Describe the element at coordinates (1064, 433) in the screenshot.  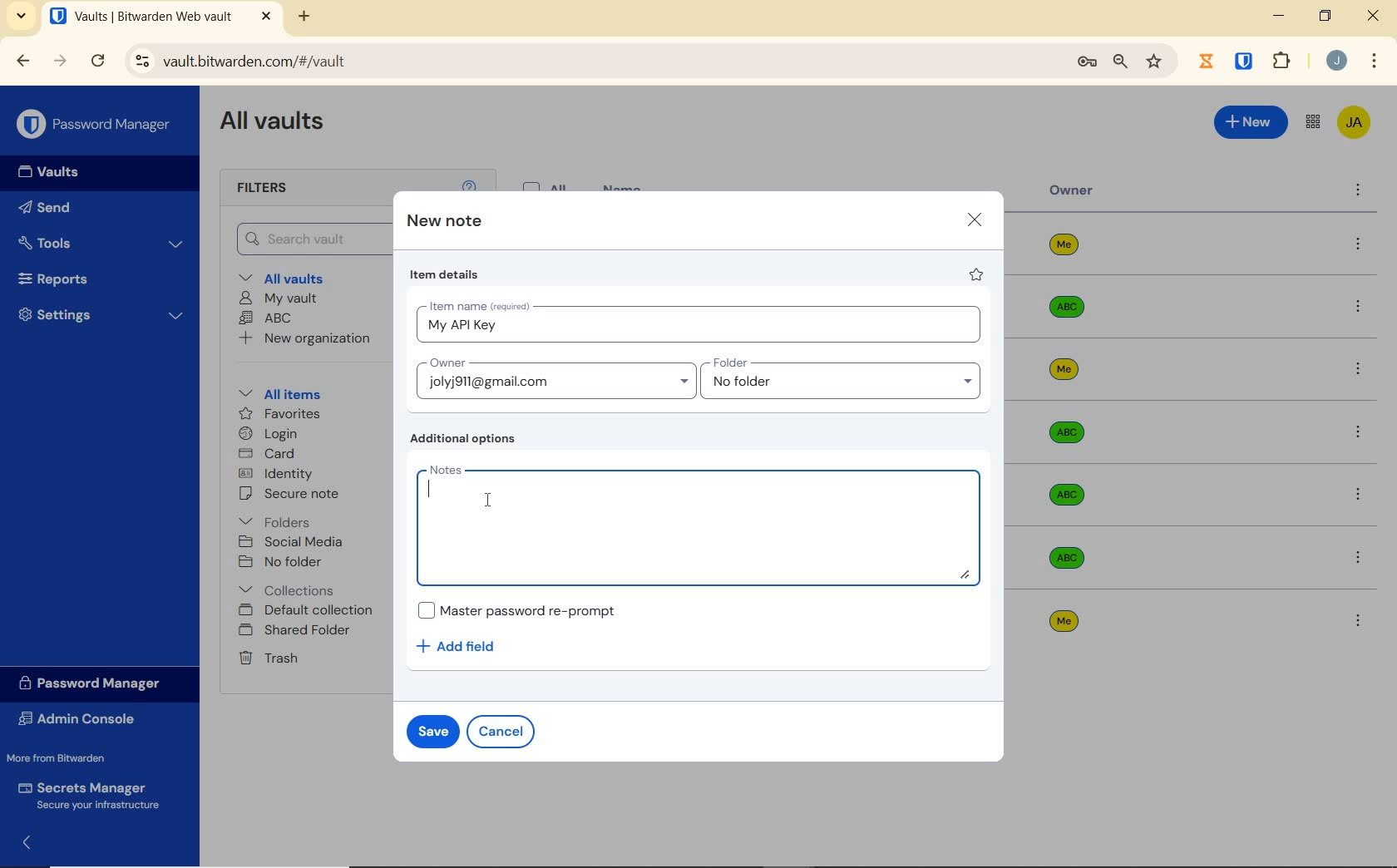
I see `Owner Name` at that location.